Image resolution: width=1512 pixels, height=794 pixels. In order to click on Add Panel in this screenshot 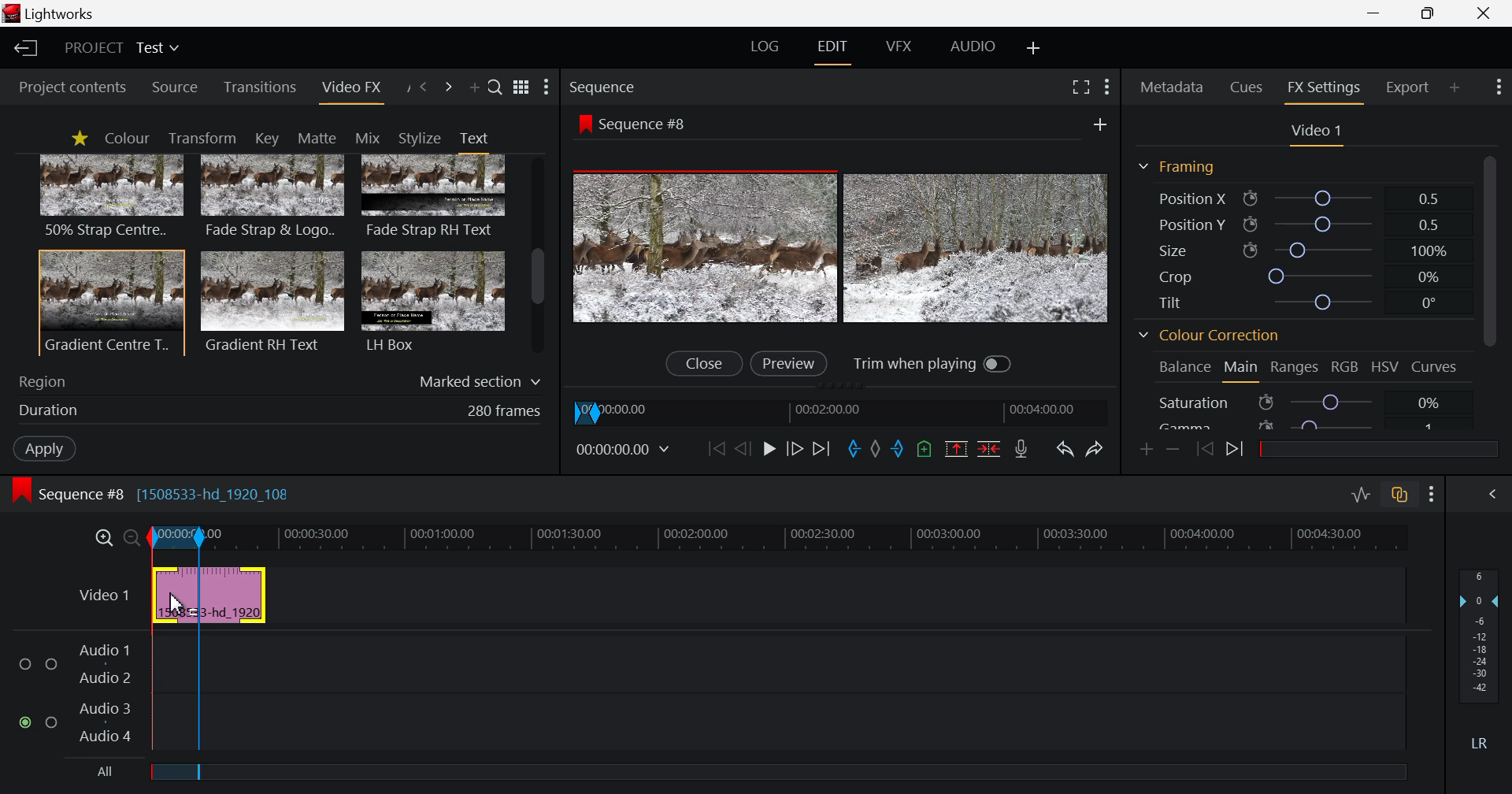, I will do `click(474, 91)`.